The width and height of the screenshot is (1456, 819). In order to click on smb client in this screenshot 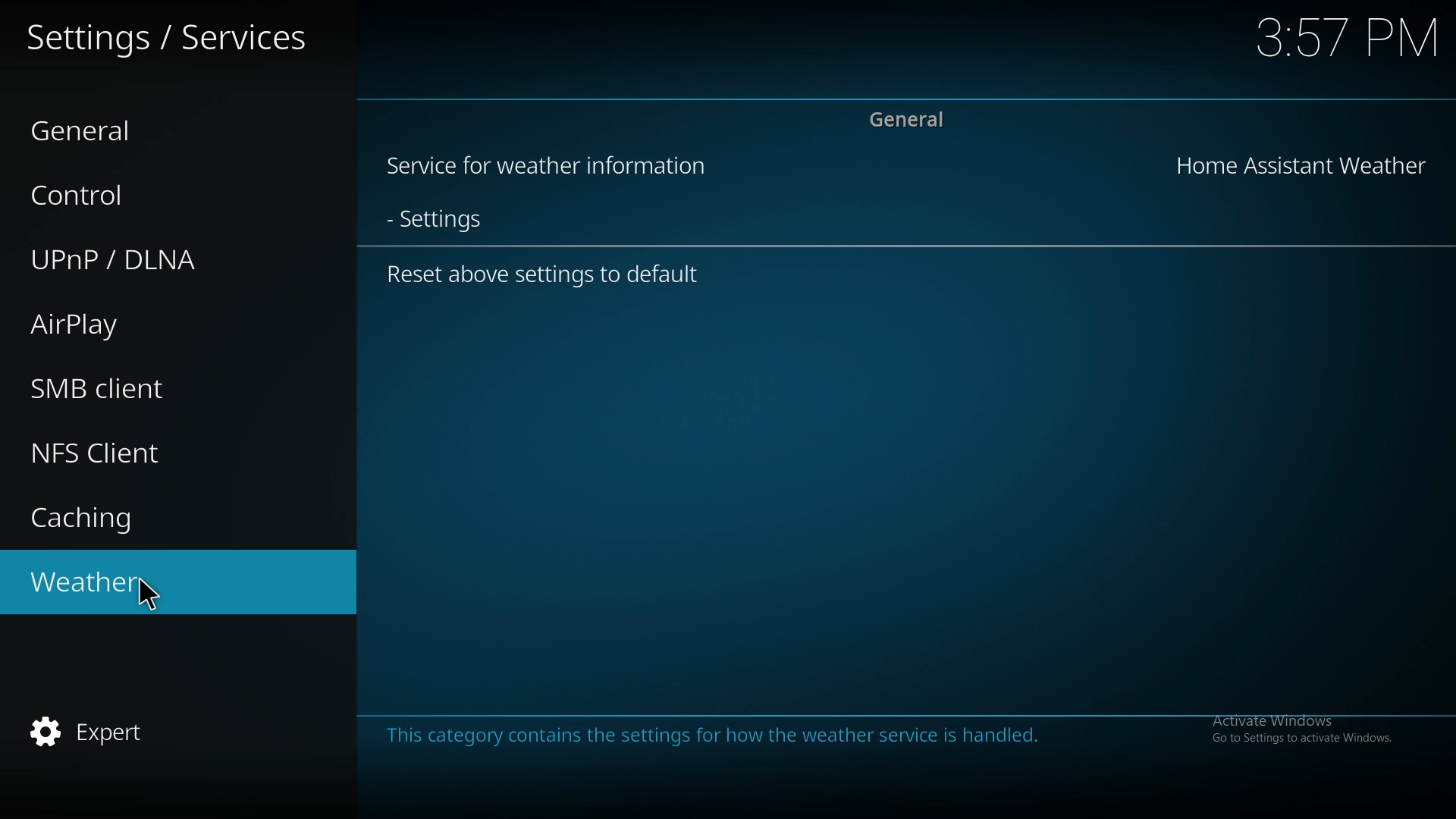, I will do `click(150, 388)`.